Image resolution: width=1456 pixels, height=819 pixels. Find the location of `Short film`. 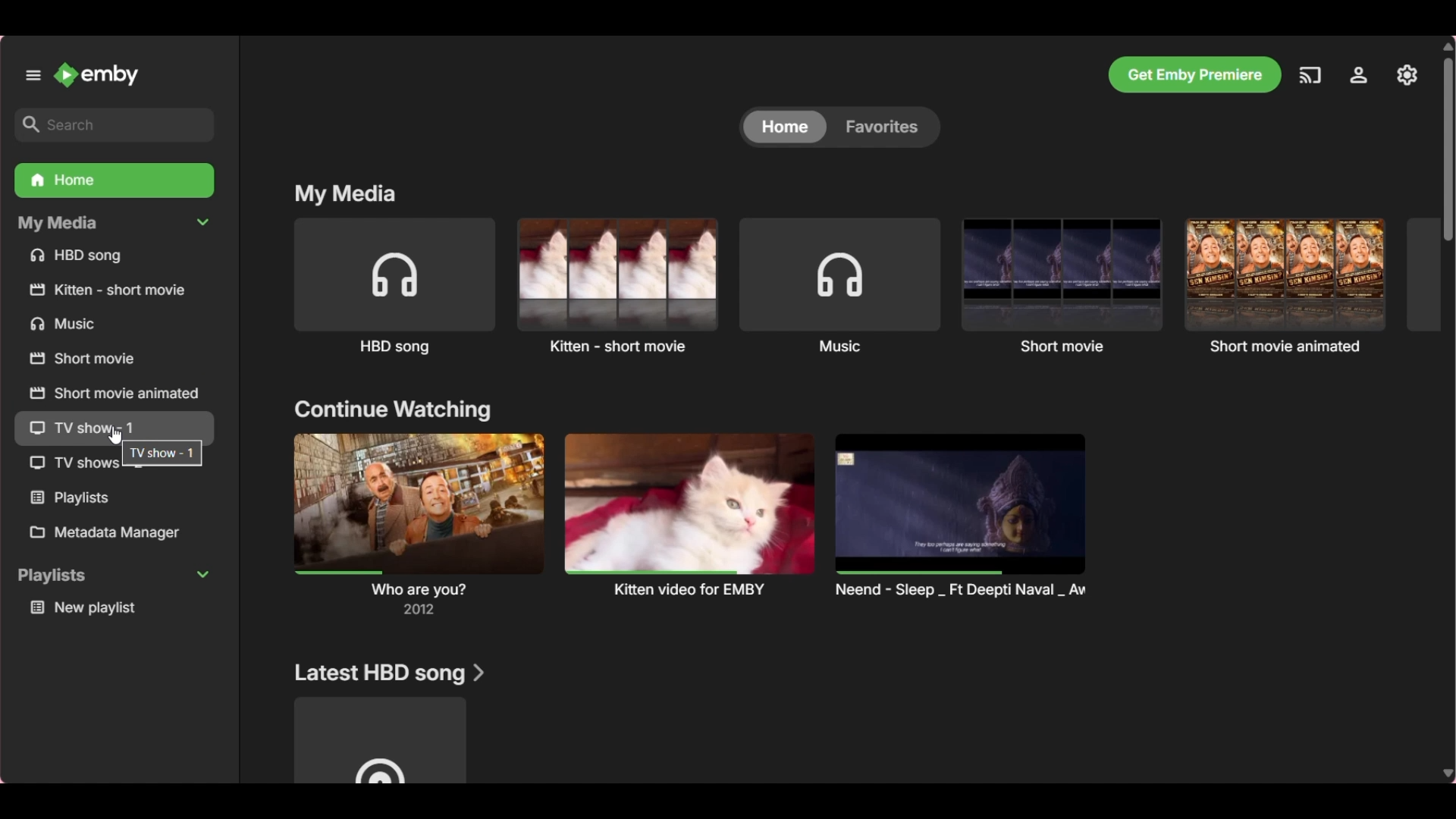

Short film is located at coordinates (113, 359).